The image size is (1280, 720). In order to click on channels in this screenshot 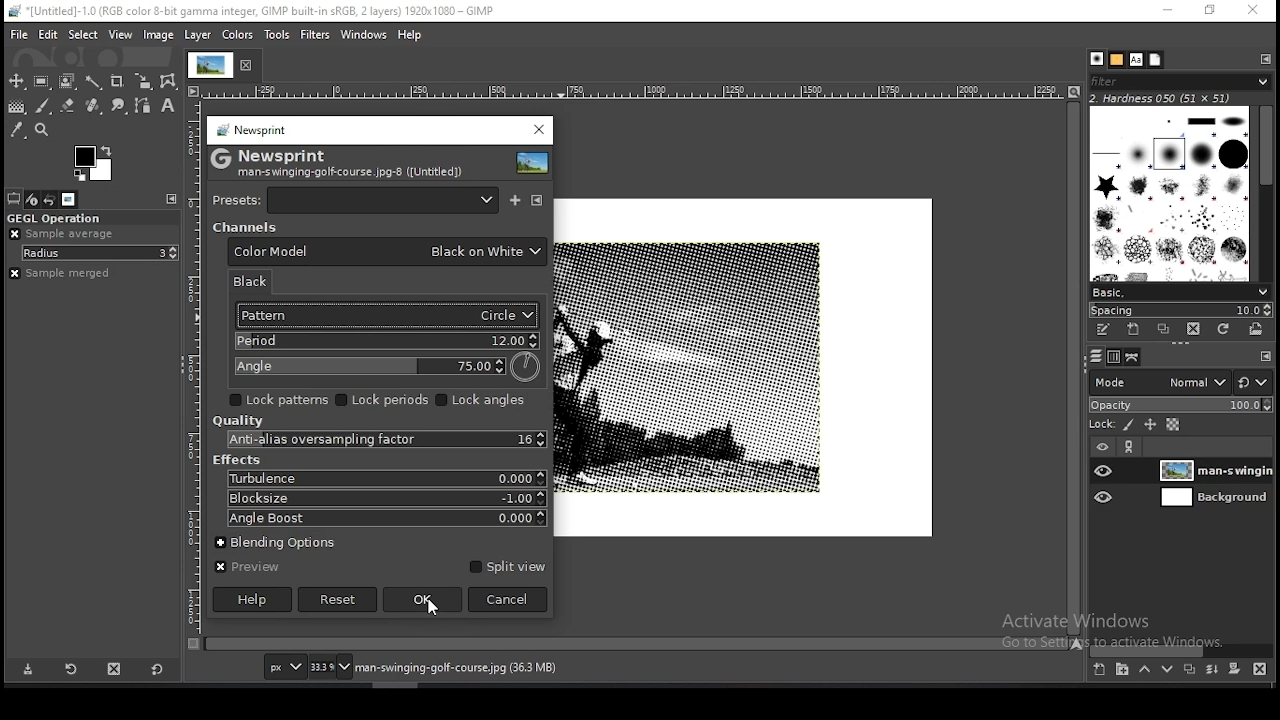, I will do `click(1112, 359)`.